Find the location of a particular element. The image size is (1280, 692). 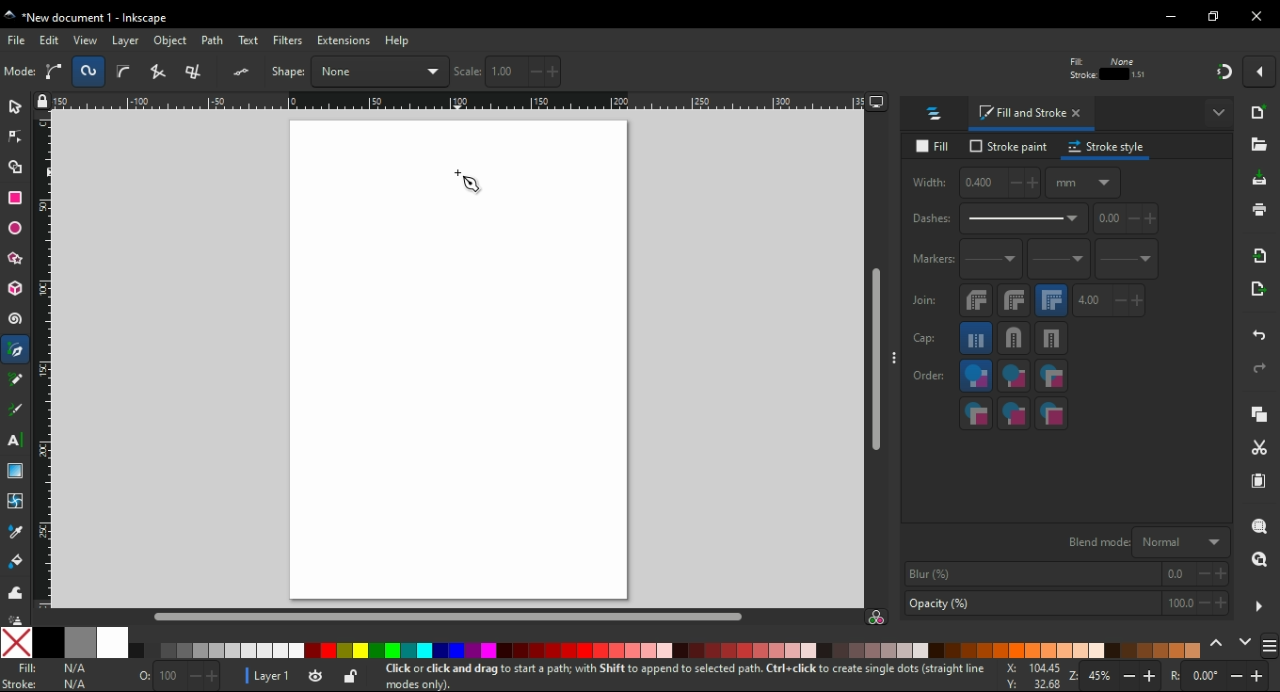

toggle selection box to select all touched objects  is located at coordinates (124, 72).